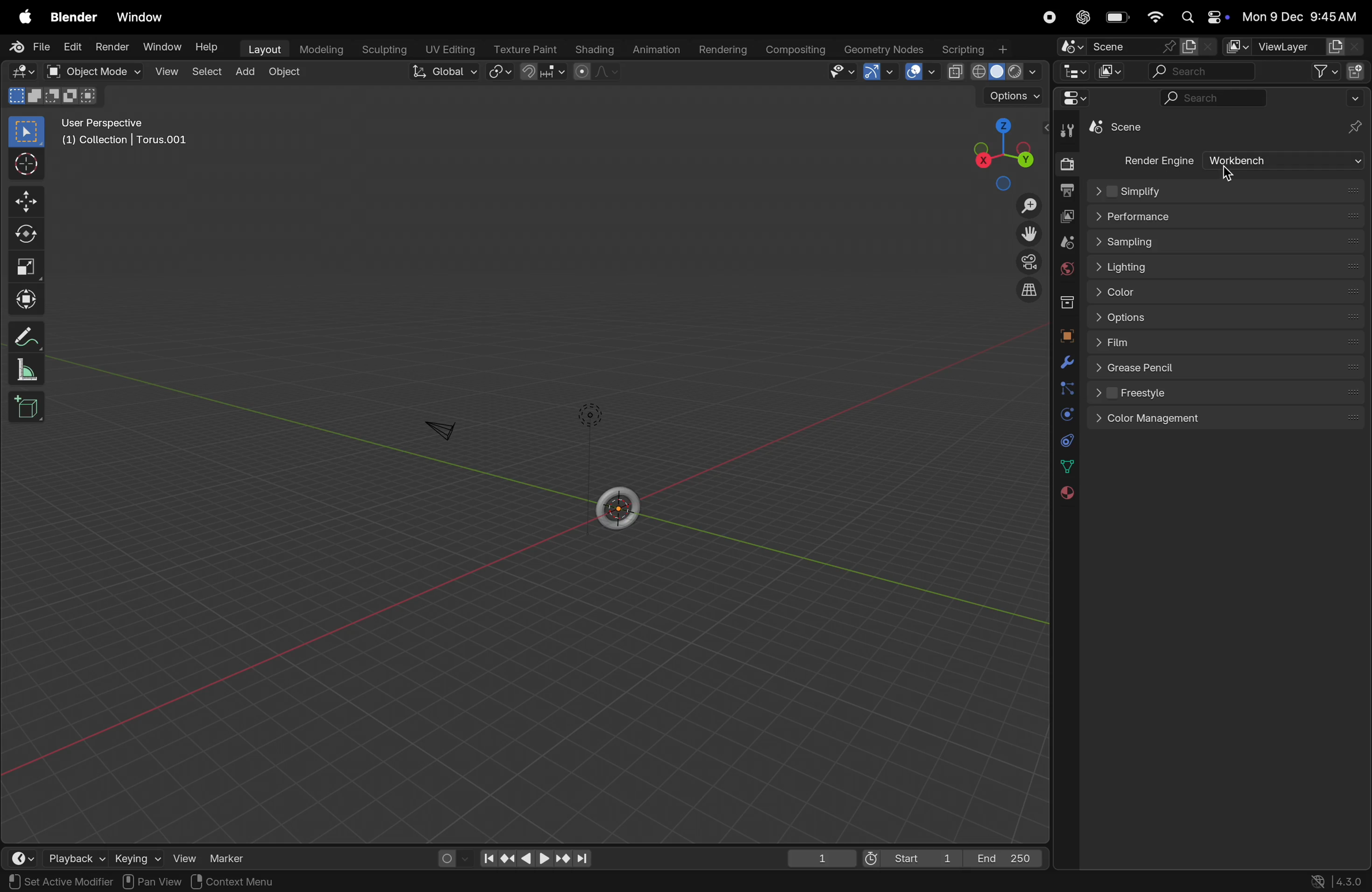 The width and height of the screenshot is (1372, 892). Describe the element at coordinates (1065, 335) in the screenshot. I see `object` at that location.